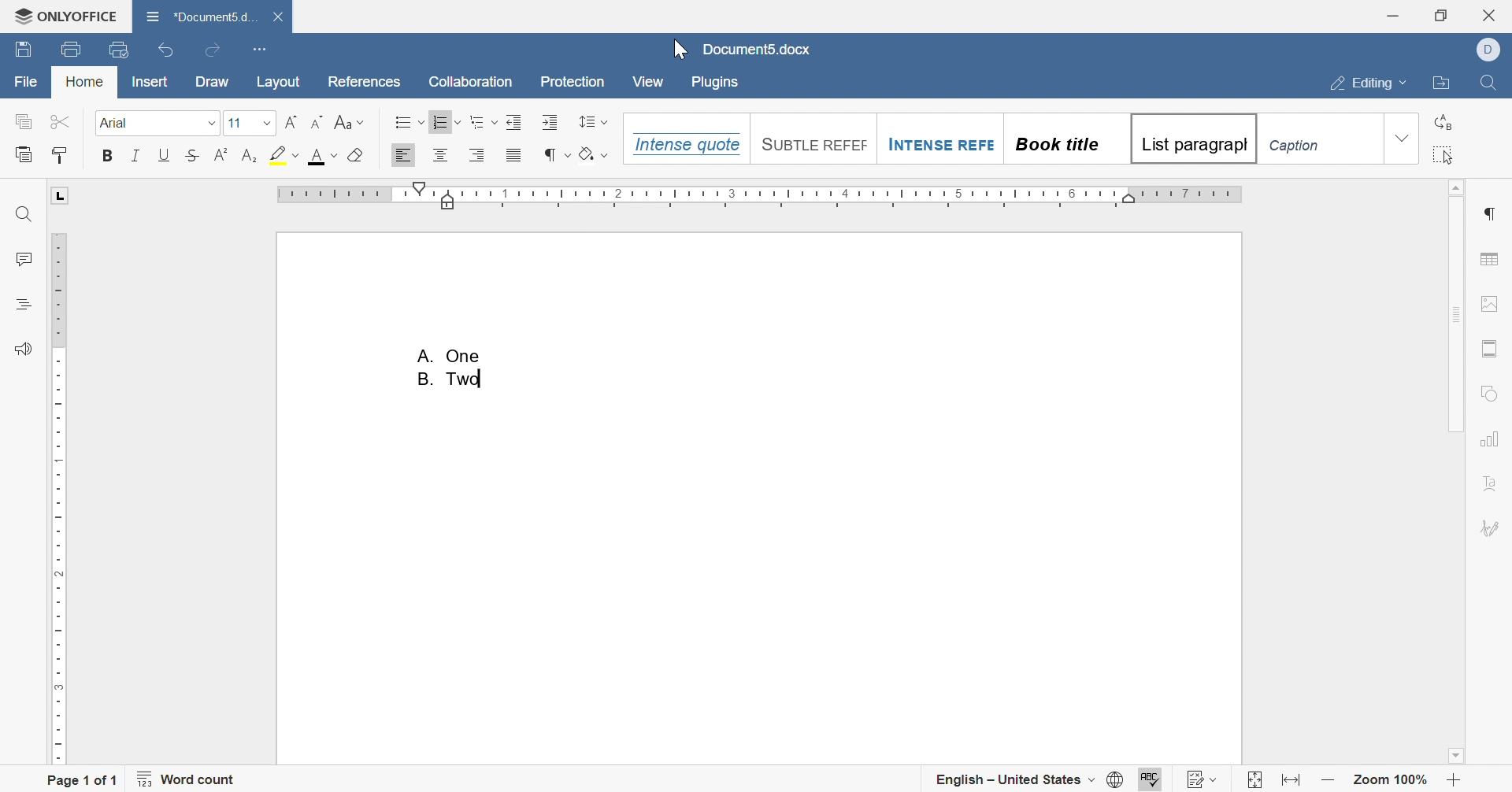 Image resolution: width=1512 pixels, height=792 pixels. I want to click on image settings, so click(1492, 304).